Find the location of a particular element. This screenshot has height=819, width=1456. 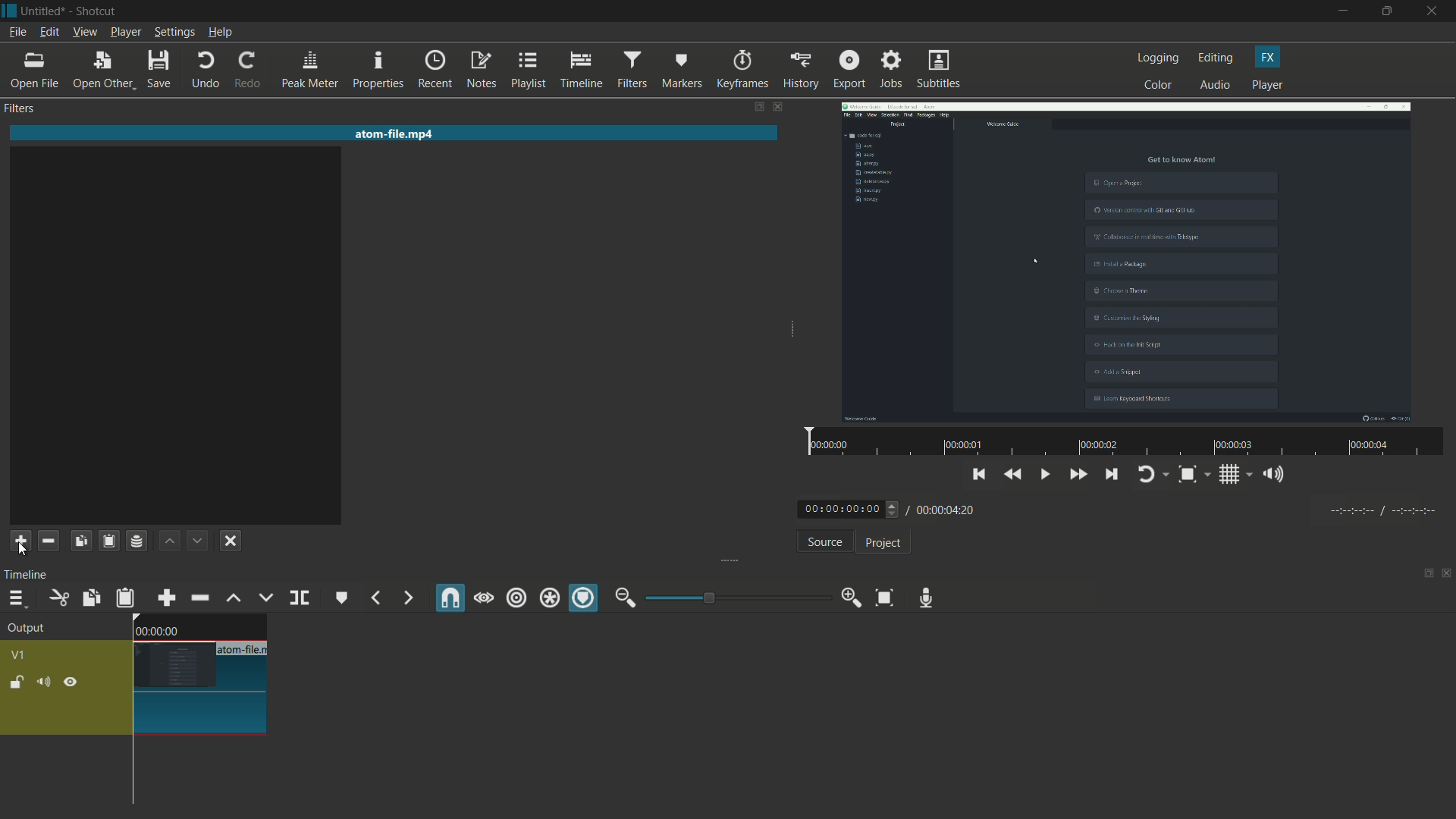

history is located at coordinates (799, 70).